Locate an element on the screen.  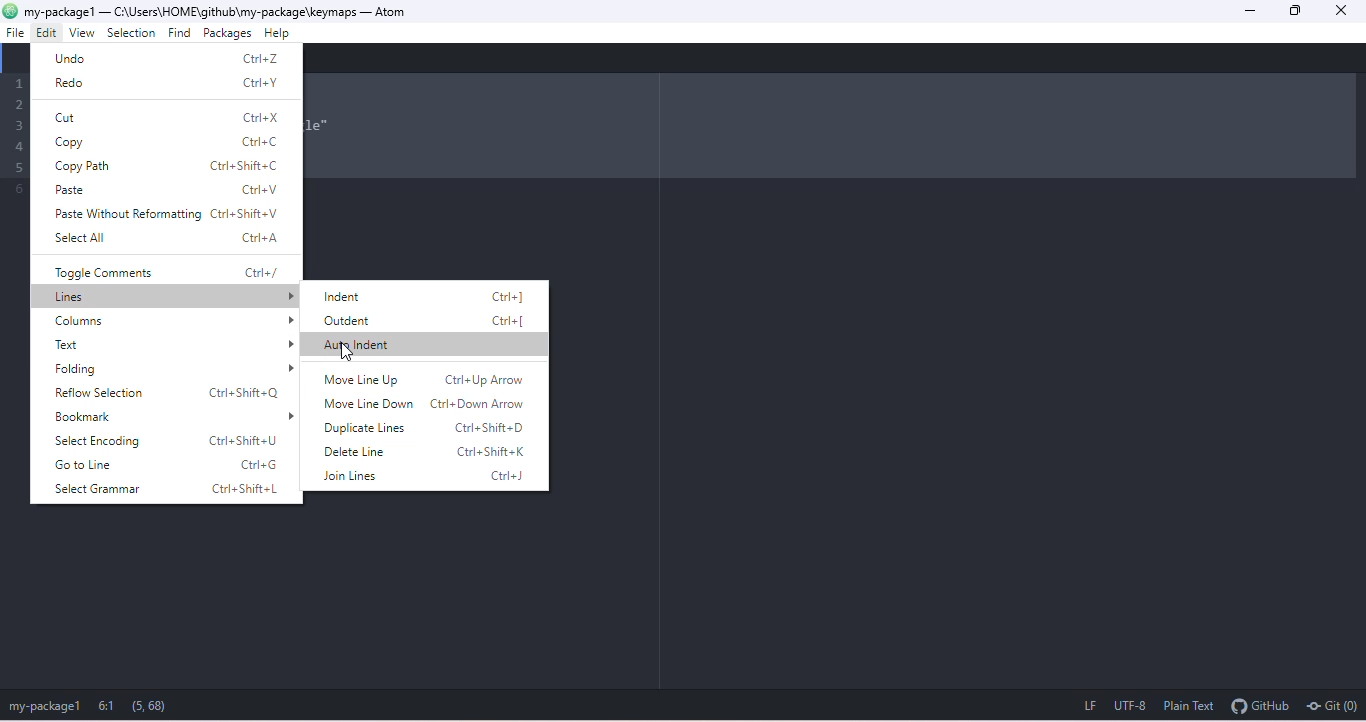
maximize is located at coordinates (1300, 10).